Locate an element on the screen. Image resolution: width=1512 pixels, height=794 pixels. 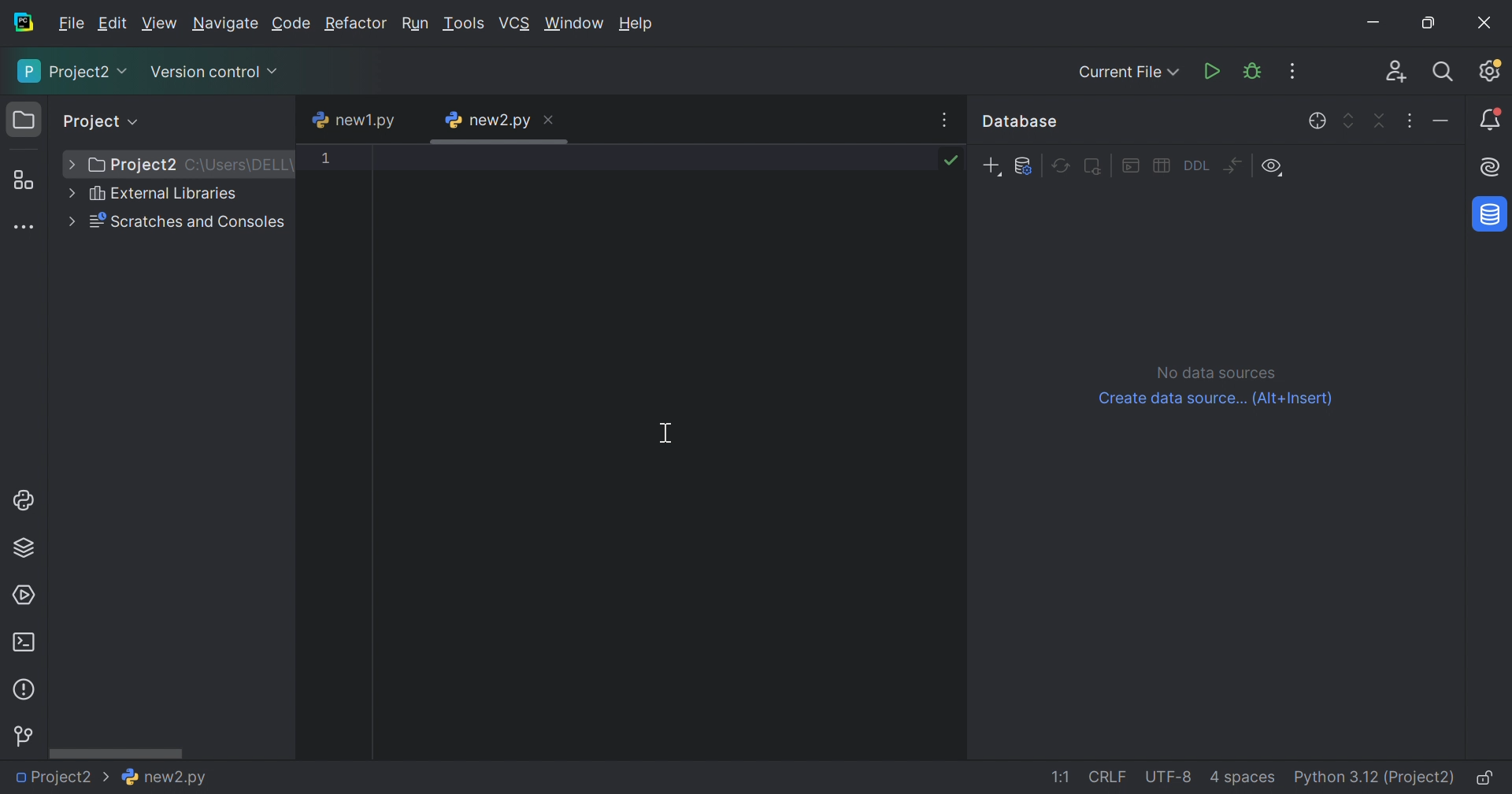
Scratches and Consoles is located at coordinates (188, 222).